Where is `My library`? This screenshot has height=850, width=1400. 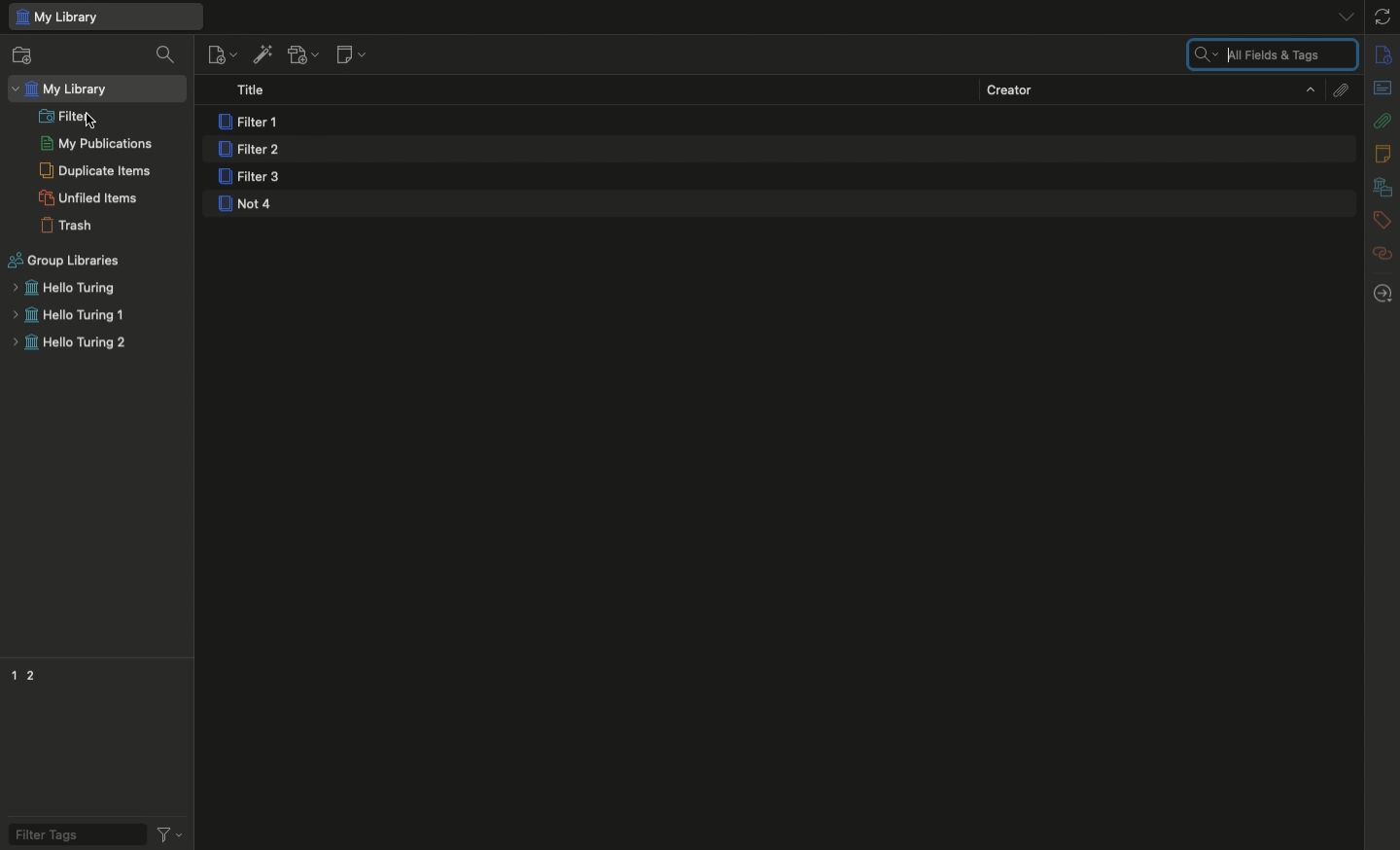 My library is located at coordinates (104, 17).